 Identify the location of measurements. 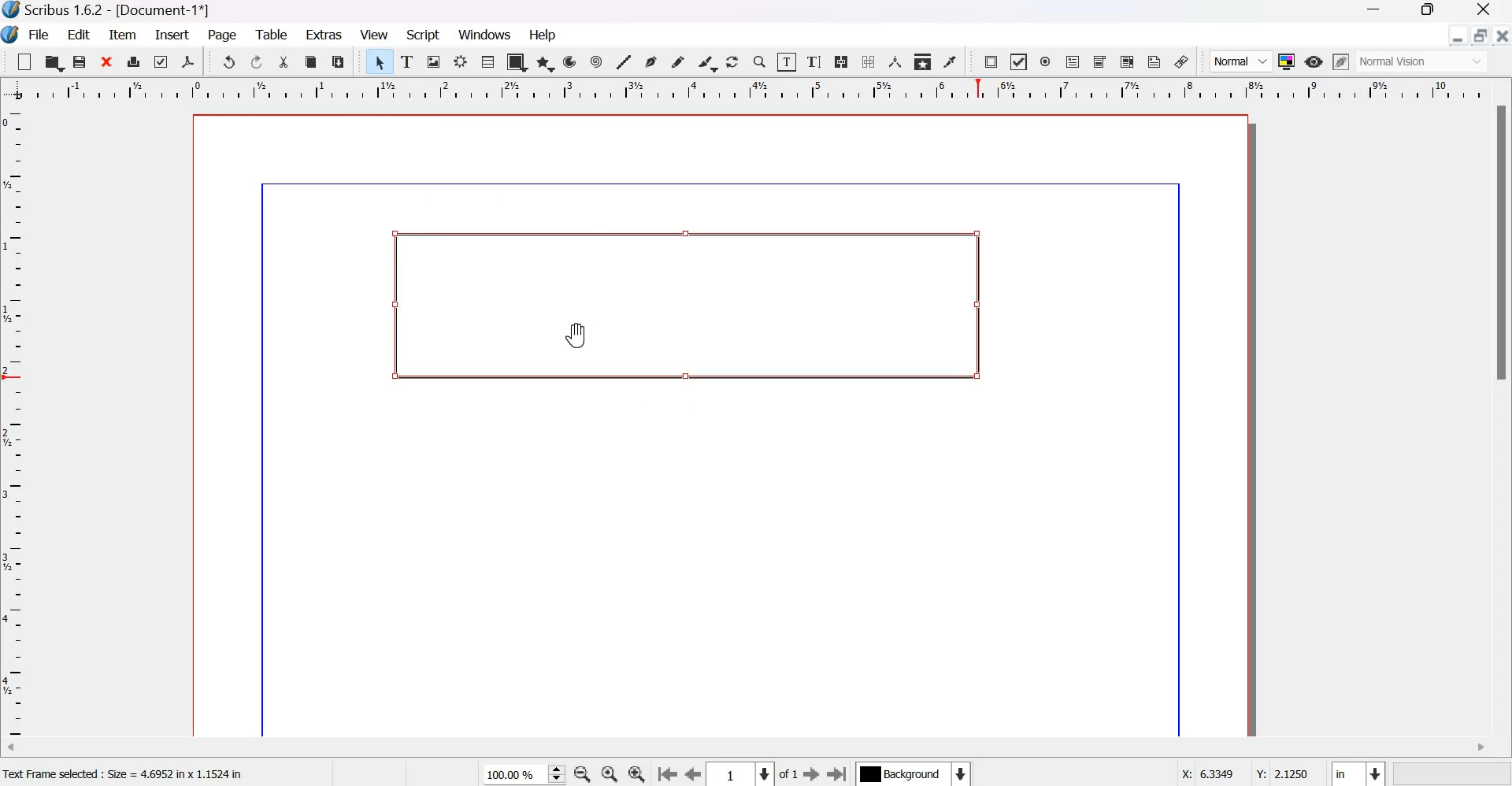
(895, 61).